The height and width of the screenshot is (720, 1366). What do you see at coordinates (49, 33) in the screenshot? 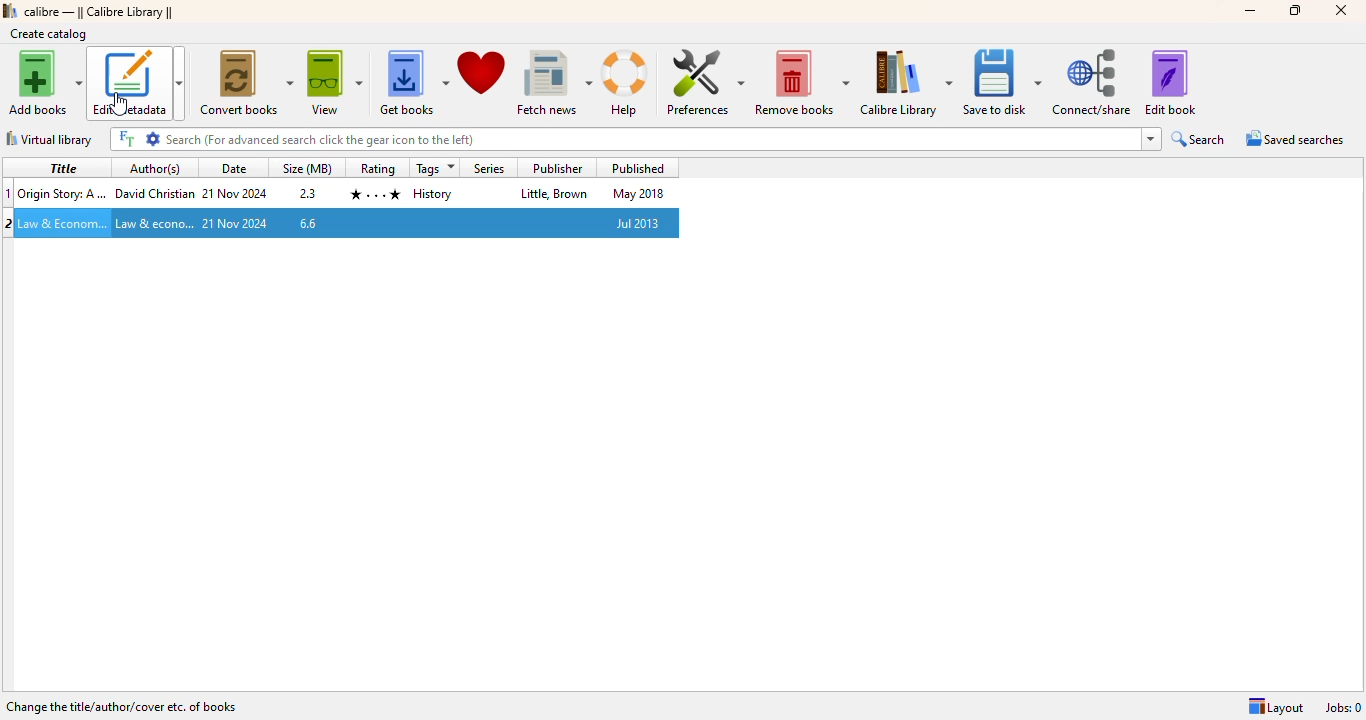
I see `create catalog` at bounding box center [49, 33].